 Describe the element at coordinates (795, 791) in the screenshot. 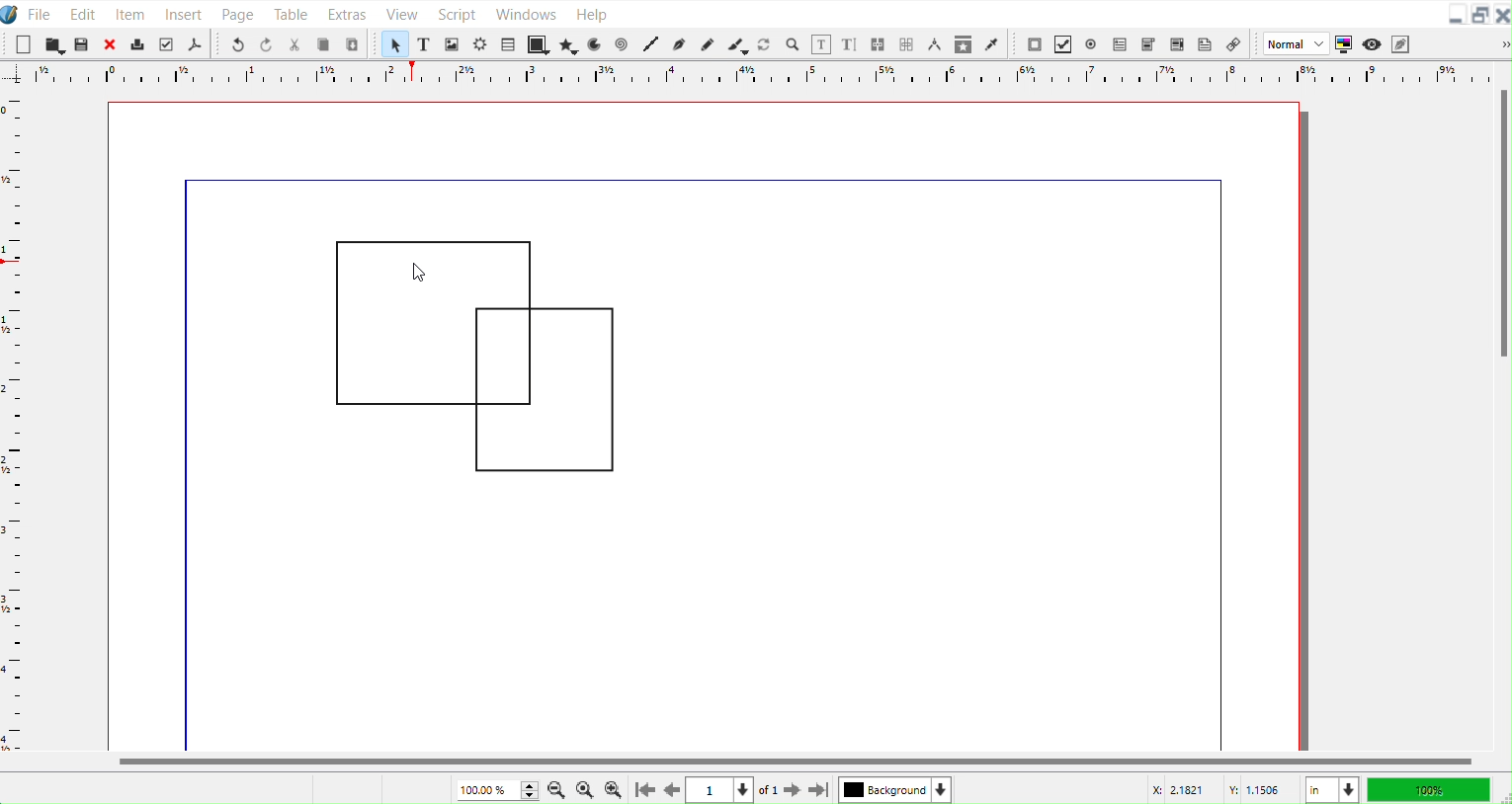

I see `Go to next page` at that location.